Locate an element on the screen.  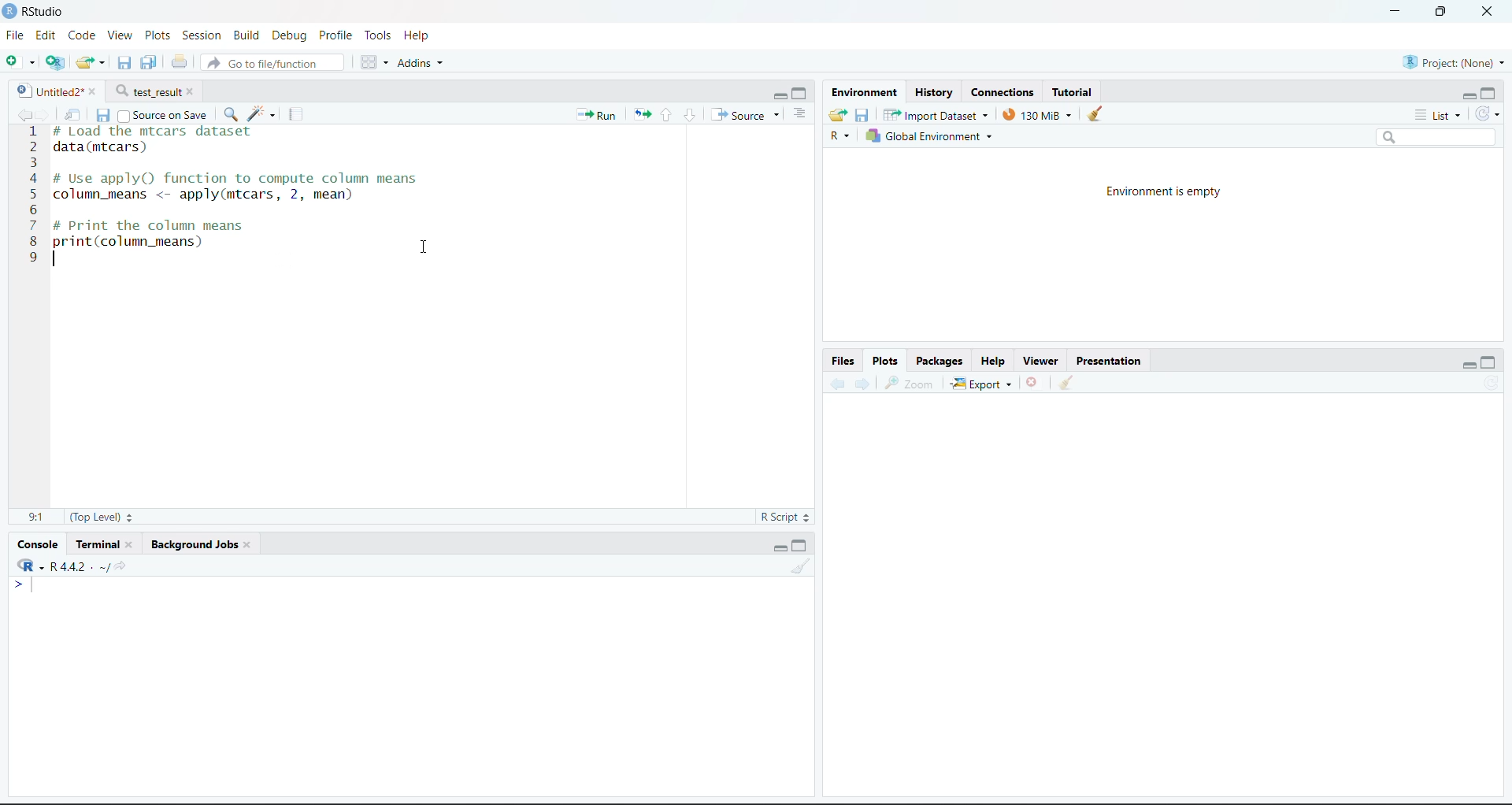
Tools is located at coordinates (377, 34).